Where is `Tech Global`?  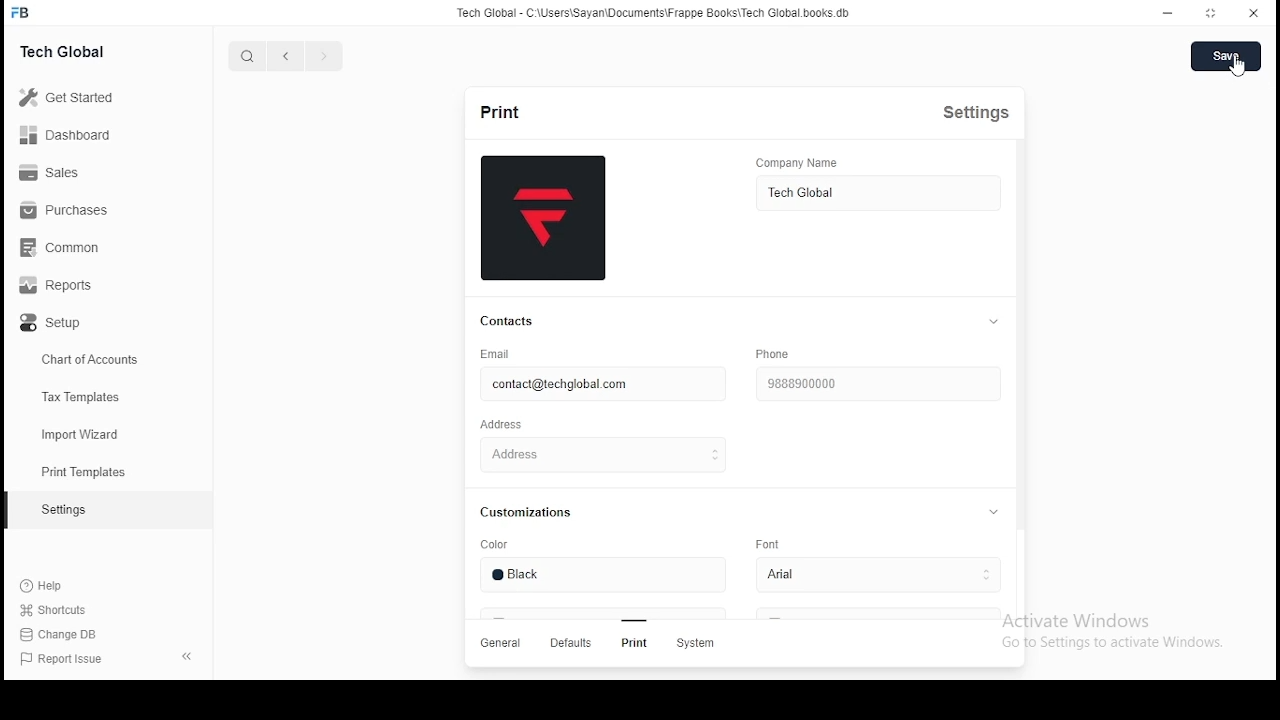 Tech Global is located at coordinates (85, 50).